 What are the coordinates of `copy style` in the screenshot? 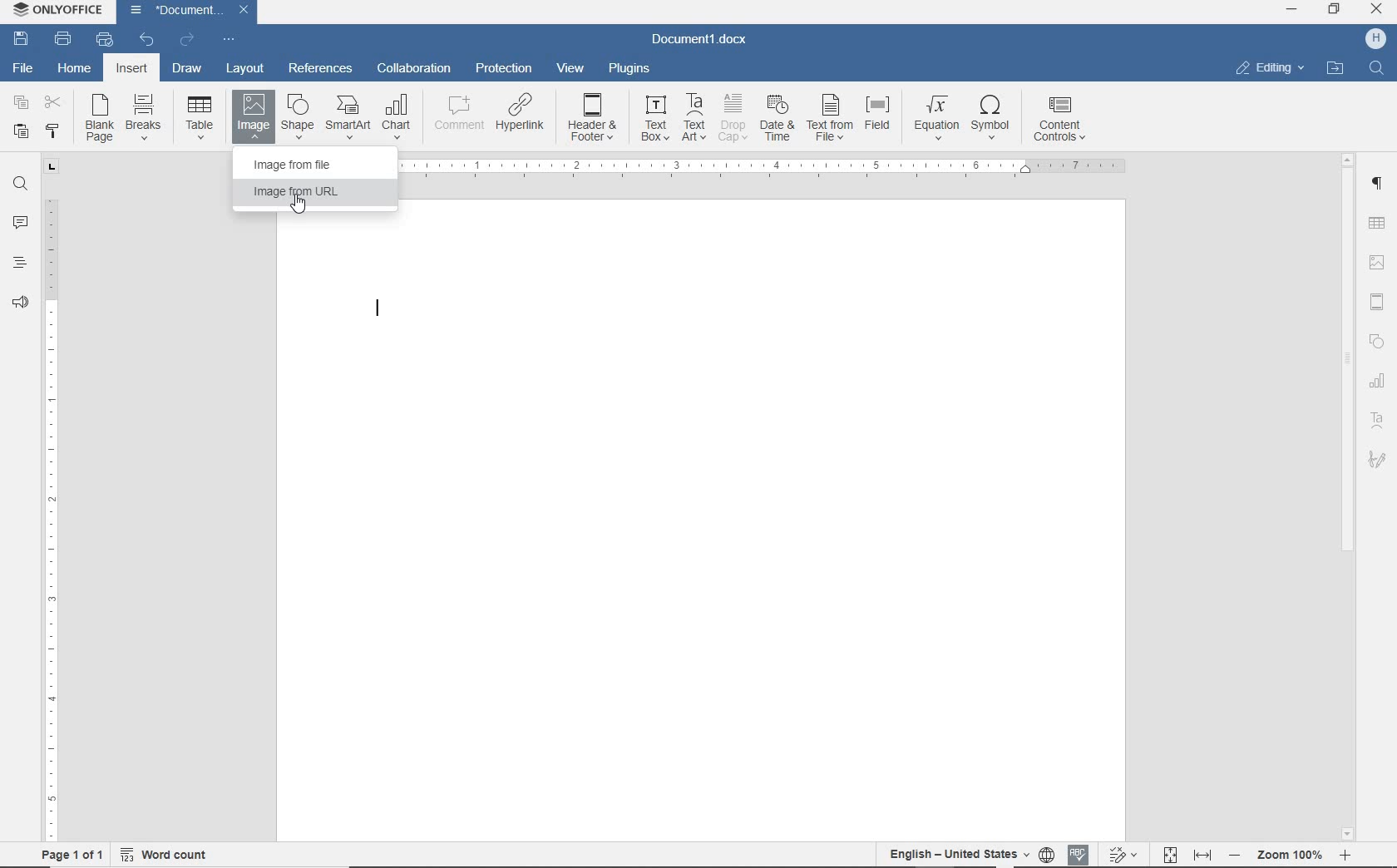 It's located at (54, 131).